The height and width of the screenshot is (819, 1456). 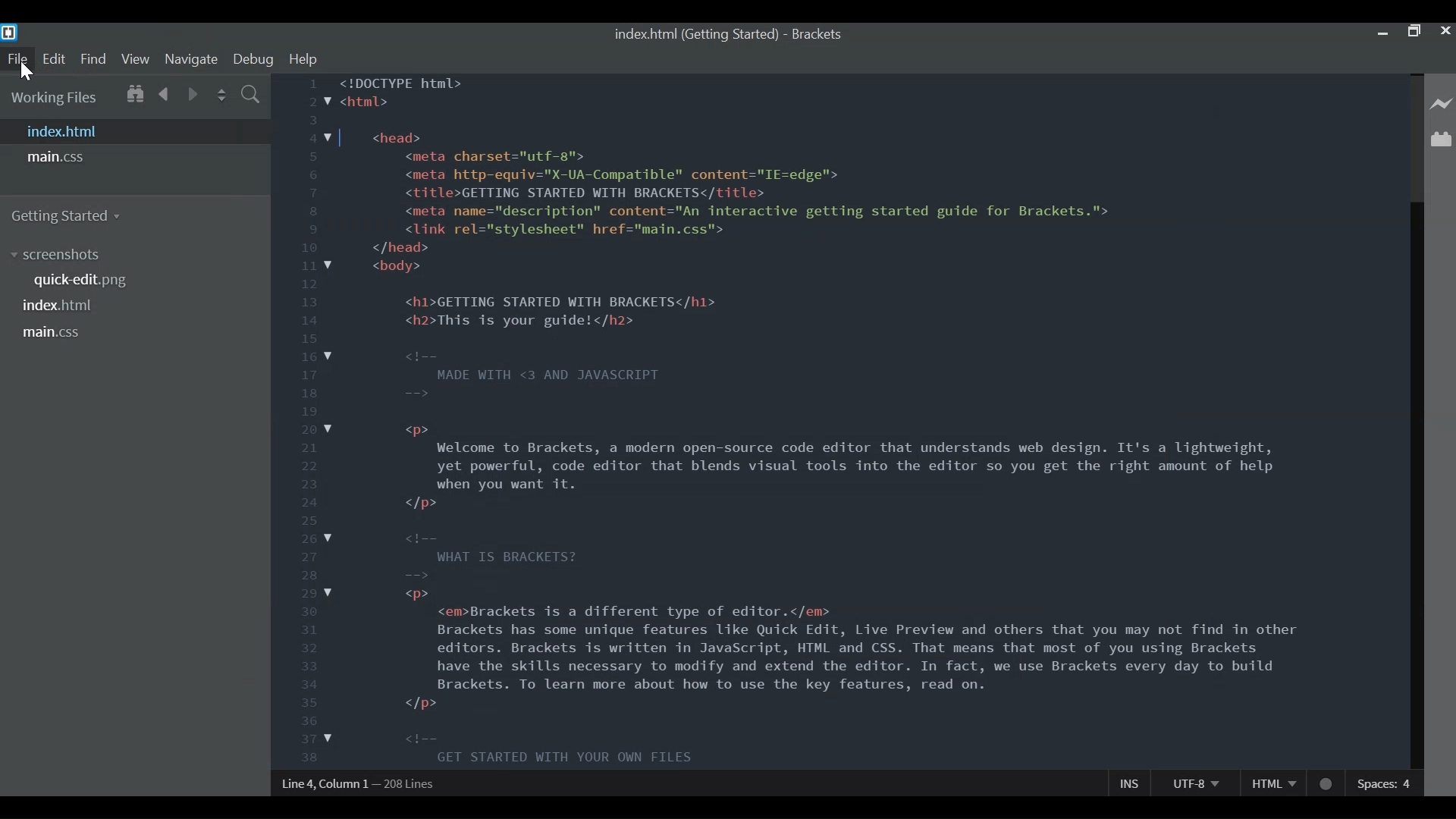 I want to click on Live Preview, so click(x=1441, y=99).